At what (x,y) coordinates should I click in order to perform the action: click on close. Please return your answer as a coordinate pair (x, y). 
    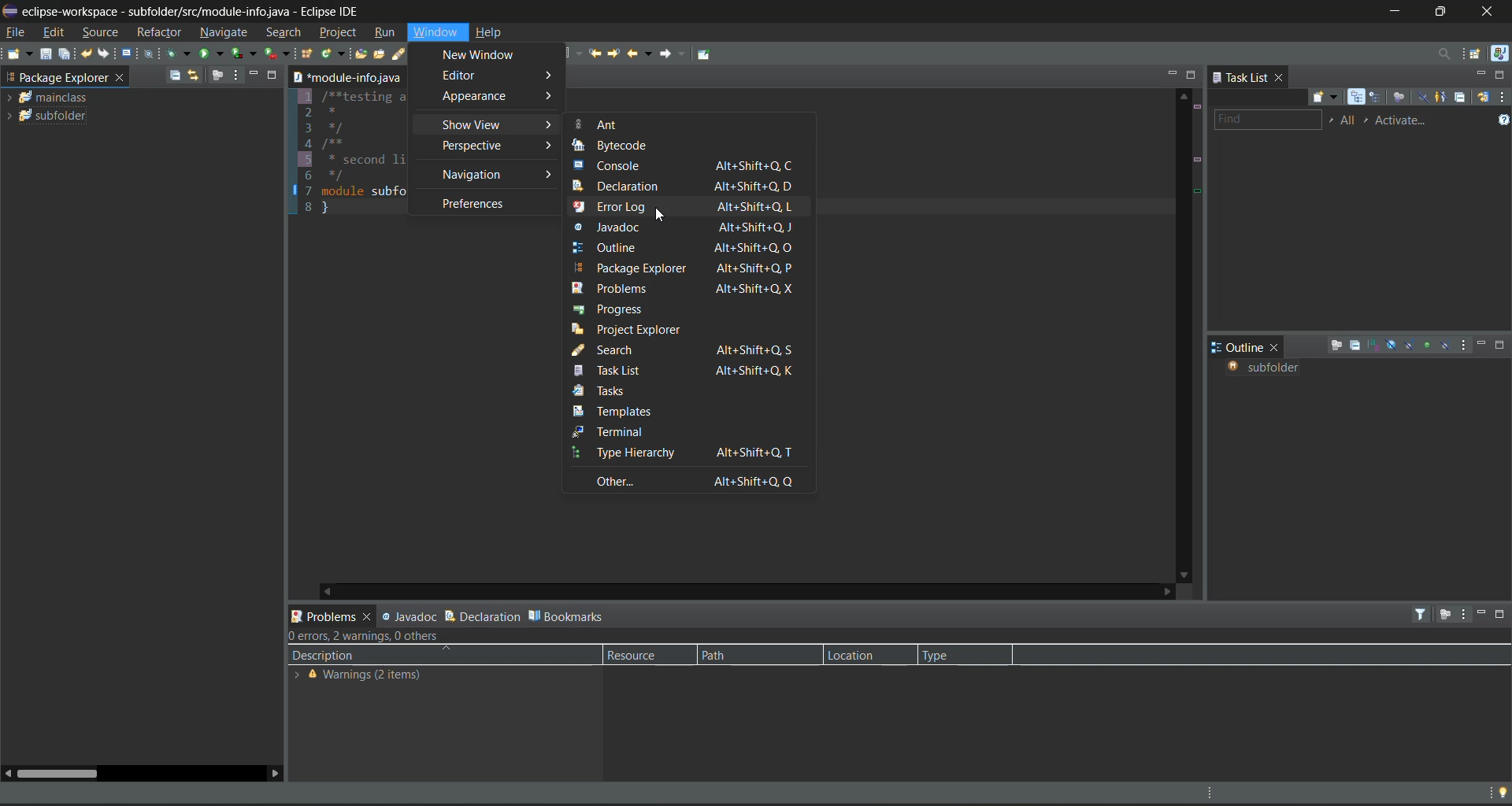
    Looking at the image, I should click on (1277, 349).